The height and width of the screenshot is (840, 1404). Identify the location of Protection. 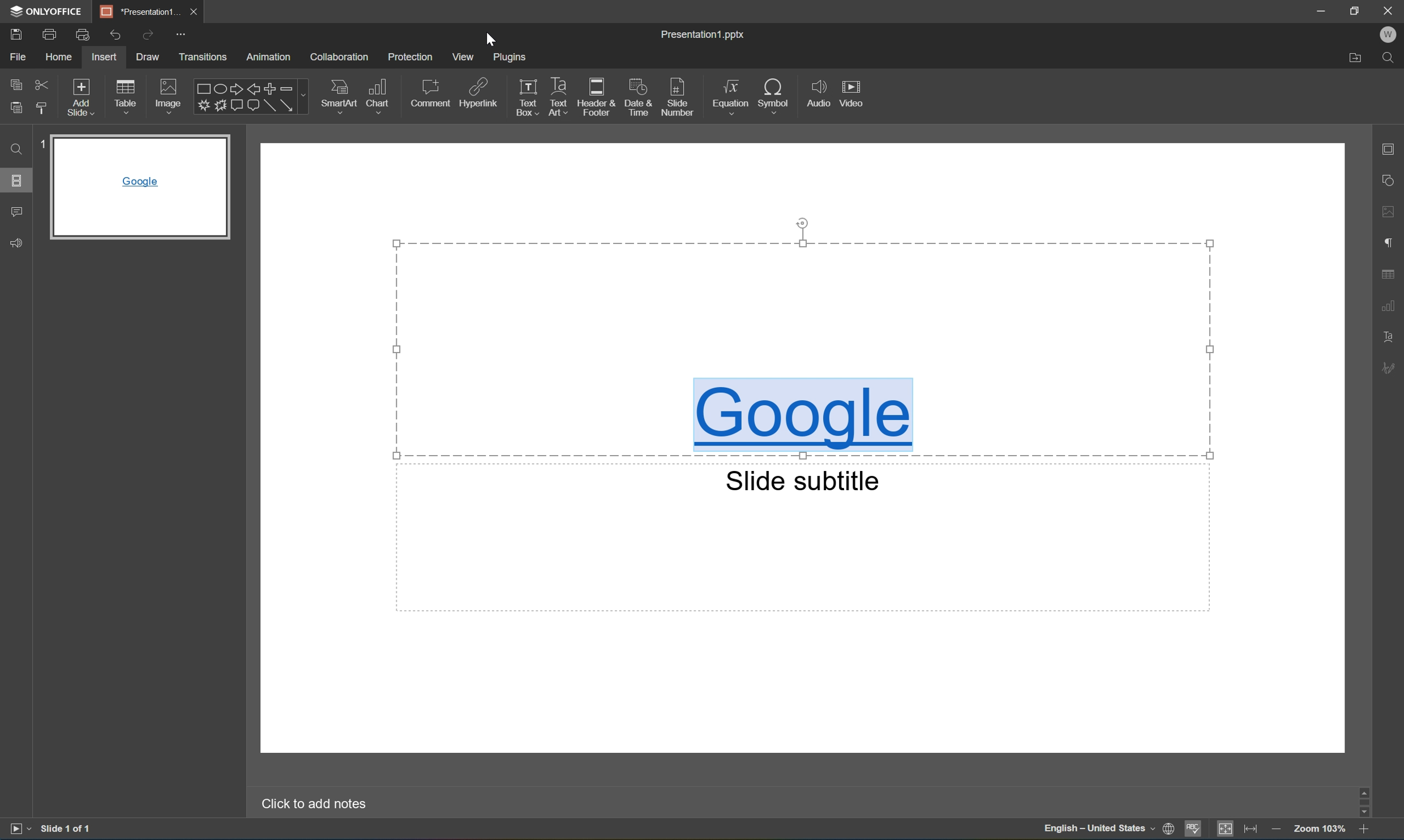
(412, 57).